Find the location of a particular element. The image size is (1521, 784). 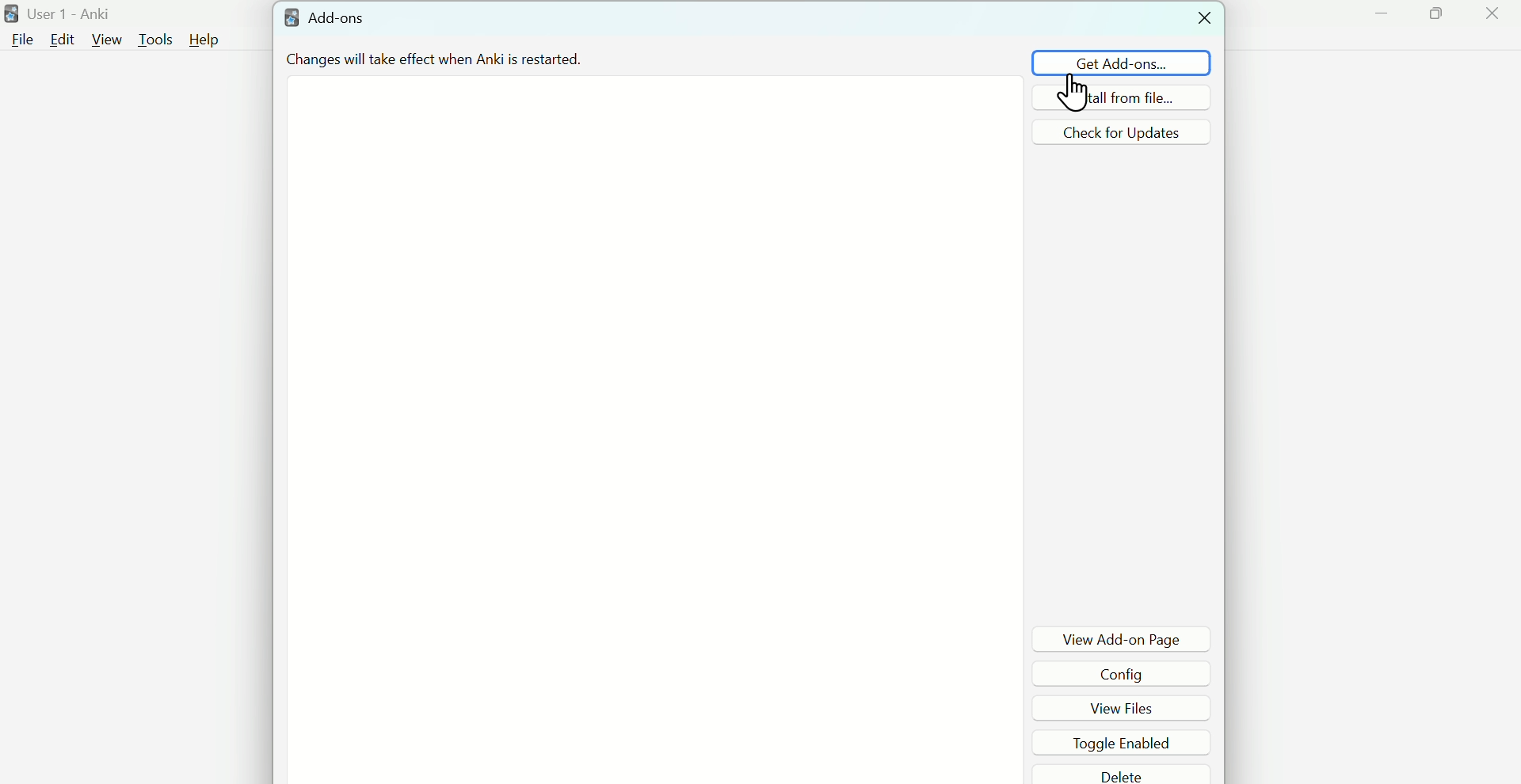

View Add-on Page is located at coordinates (1123, 638).